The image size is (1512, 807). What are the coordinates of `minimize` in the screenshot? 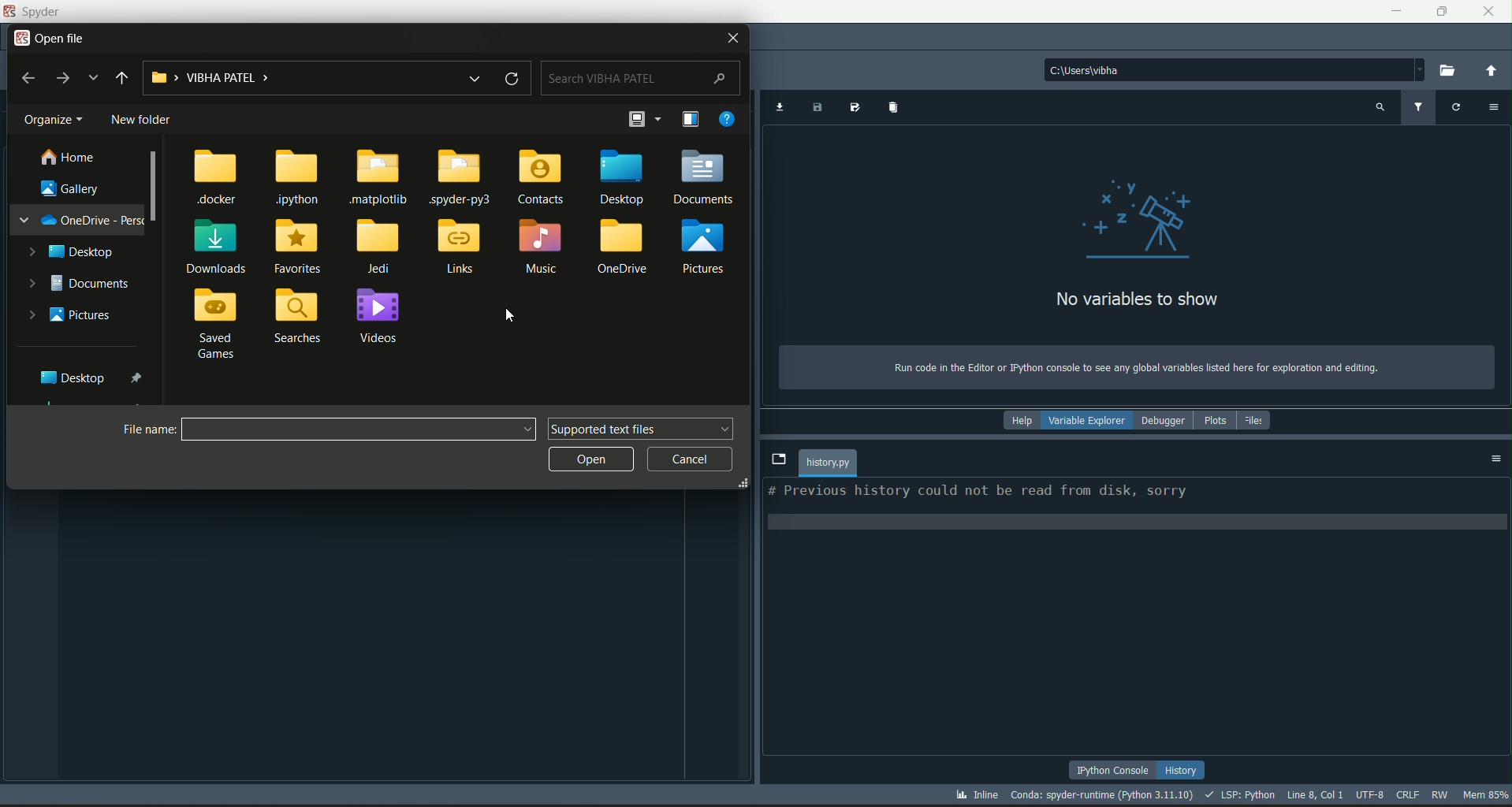 It's located at (1394, 9).